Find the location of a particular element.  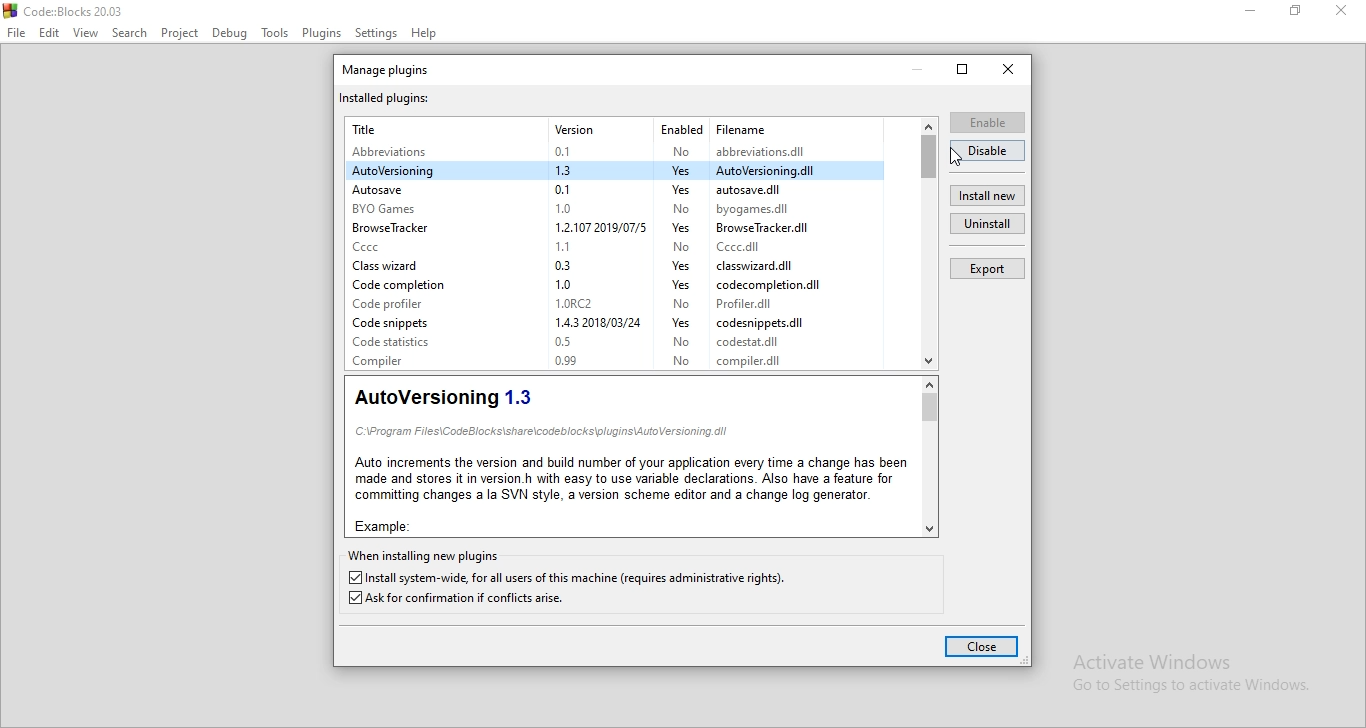

‘codecompletion.dil is located at coordinates (764, 285).